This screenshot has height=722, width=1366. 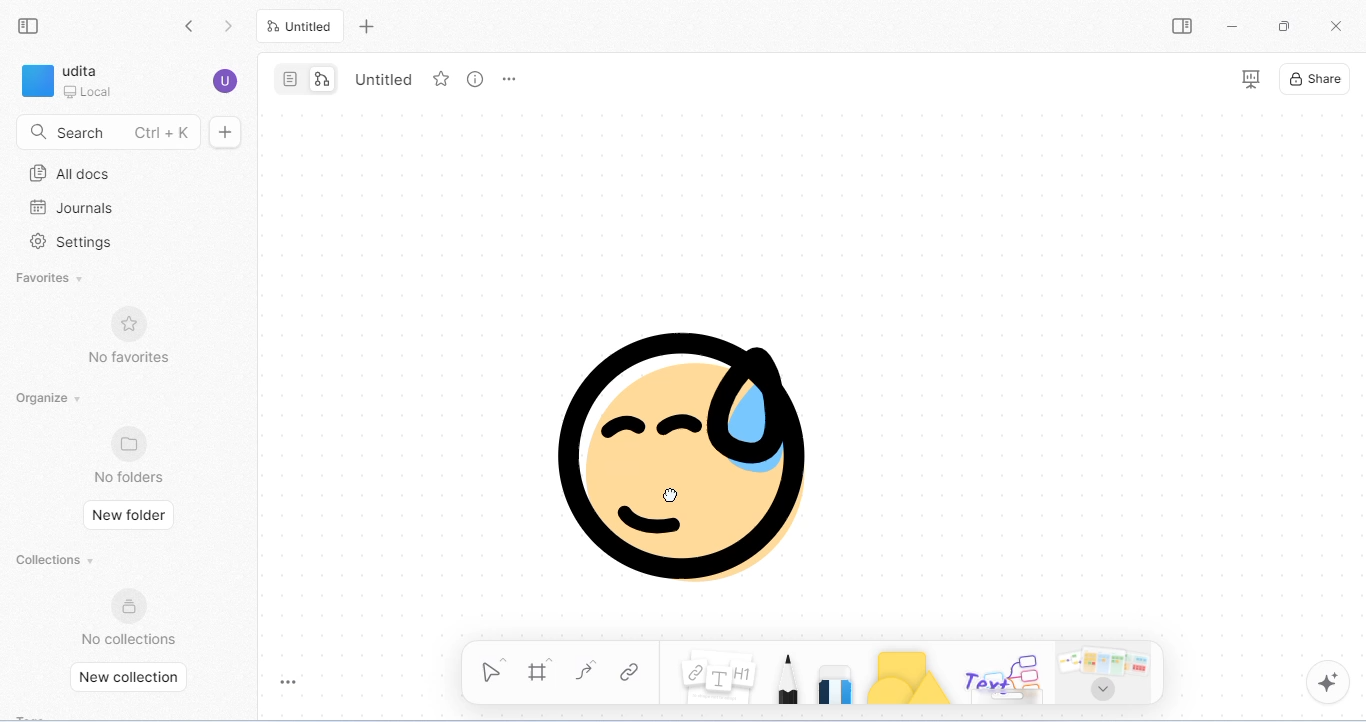 What do you see at coordinates (837, 682) in the screenshot?
I see `eraser` at bounding box center [837, 682].